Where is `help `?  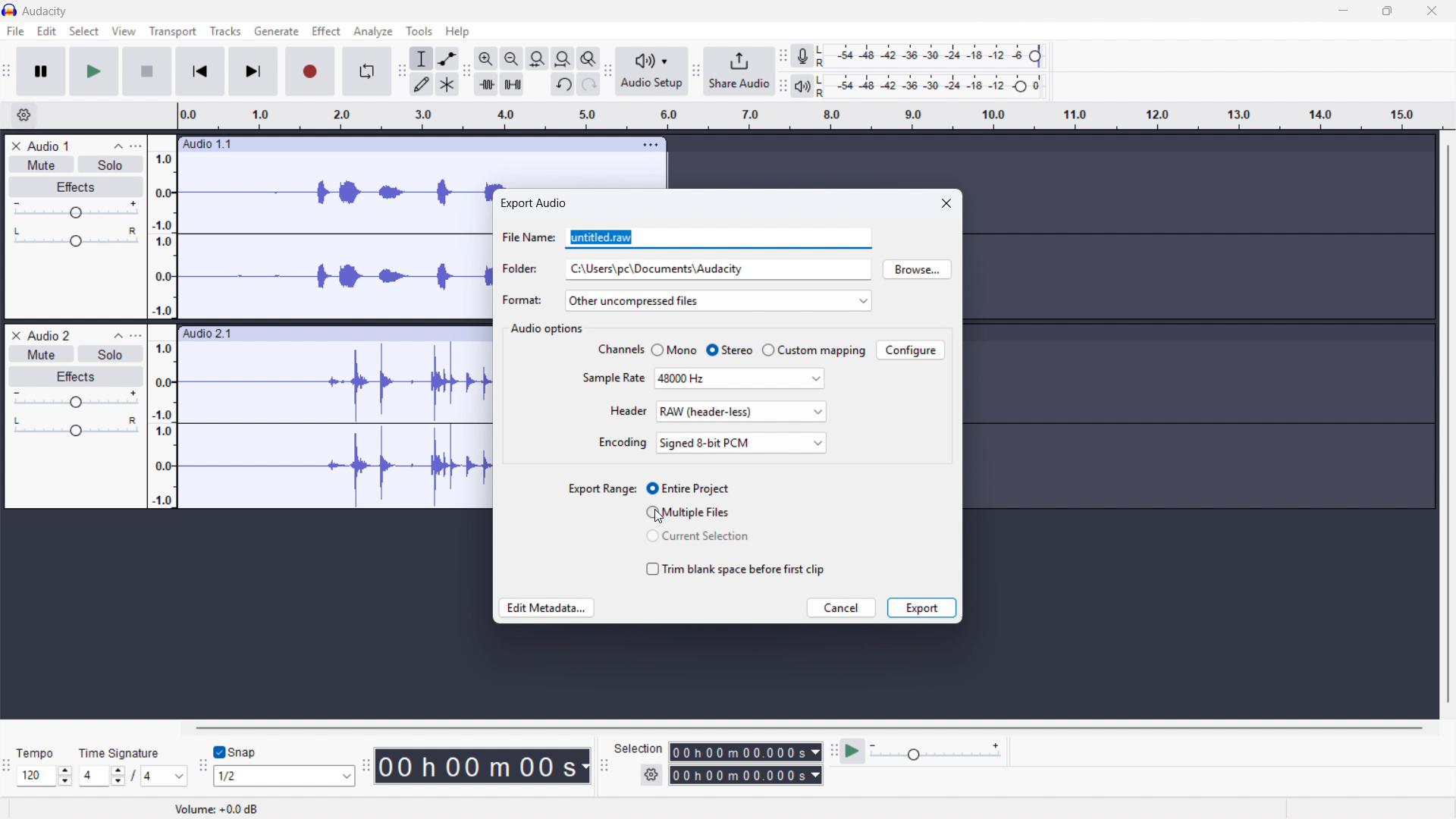
help  is located at coordinates (458, 31).